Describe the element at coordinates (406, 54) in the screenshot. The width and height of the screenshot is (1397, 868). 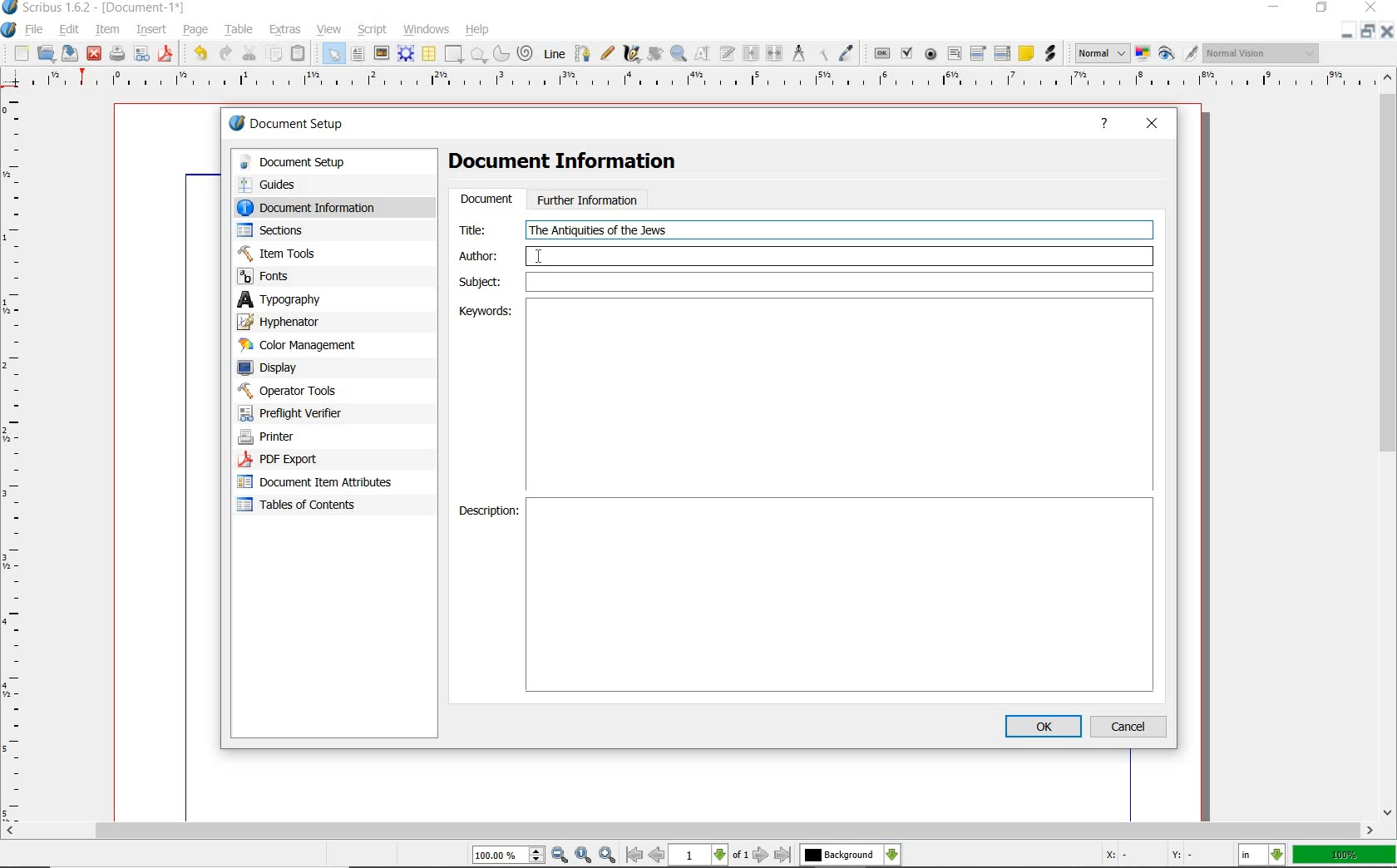
I see `render frame` at that location.